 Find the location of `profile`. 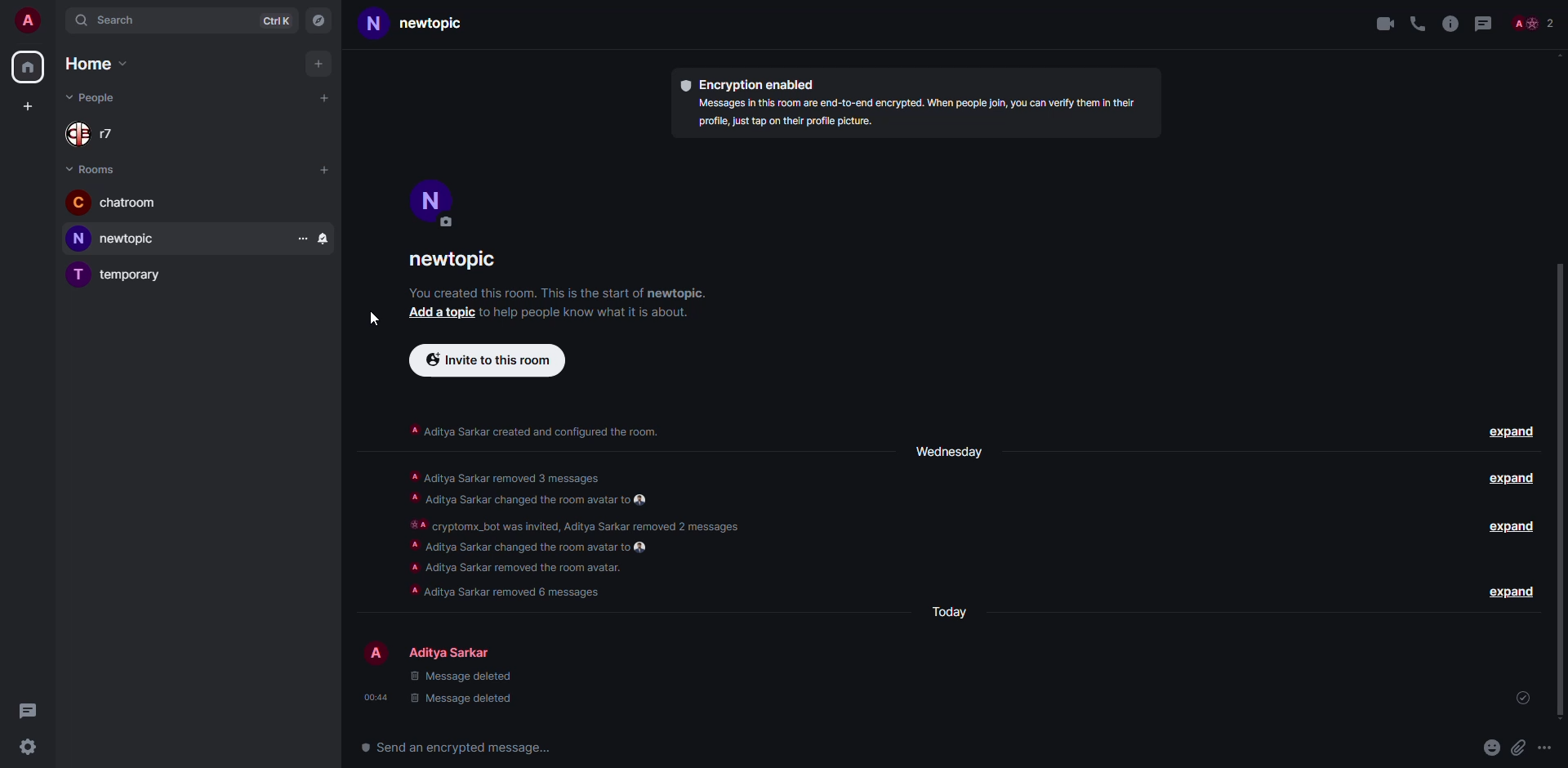

profile is located at coordinates (29, 20).